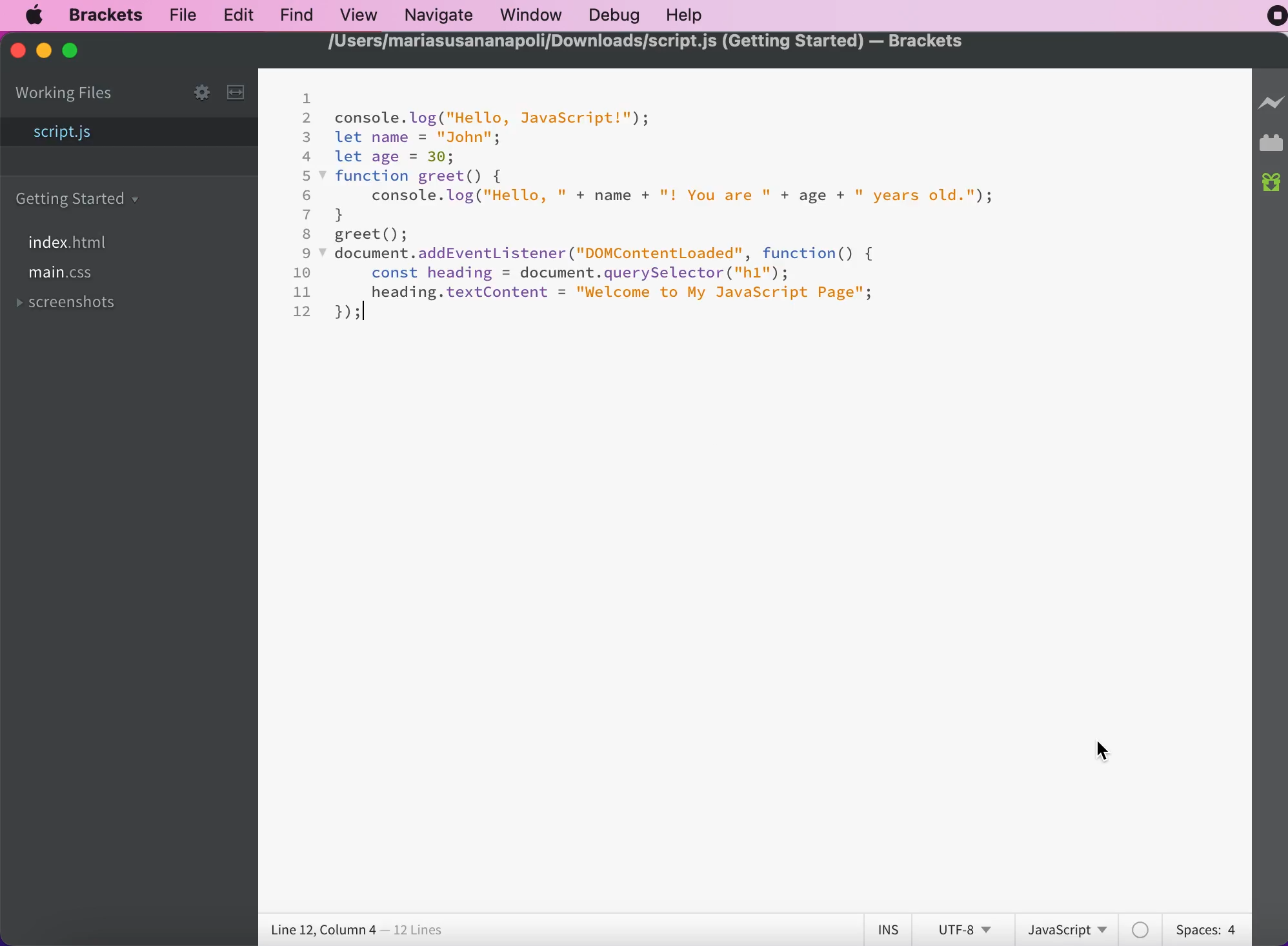 The image size is (1288, 946). Describe the element at coordinates (307, 234) in the screenshot. I see `8` at that location.